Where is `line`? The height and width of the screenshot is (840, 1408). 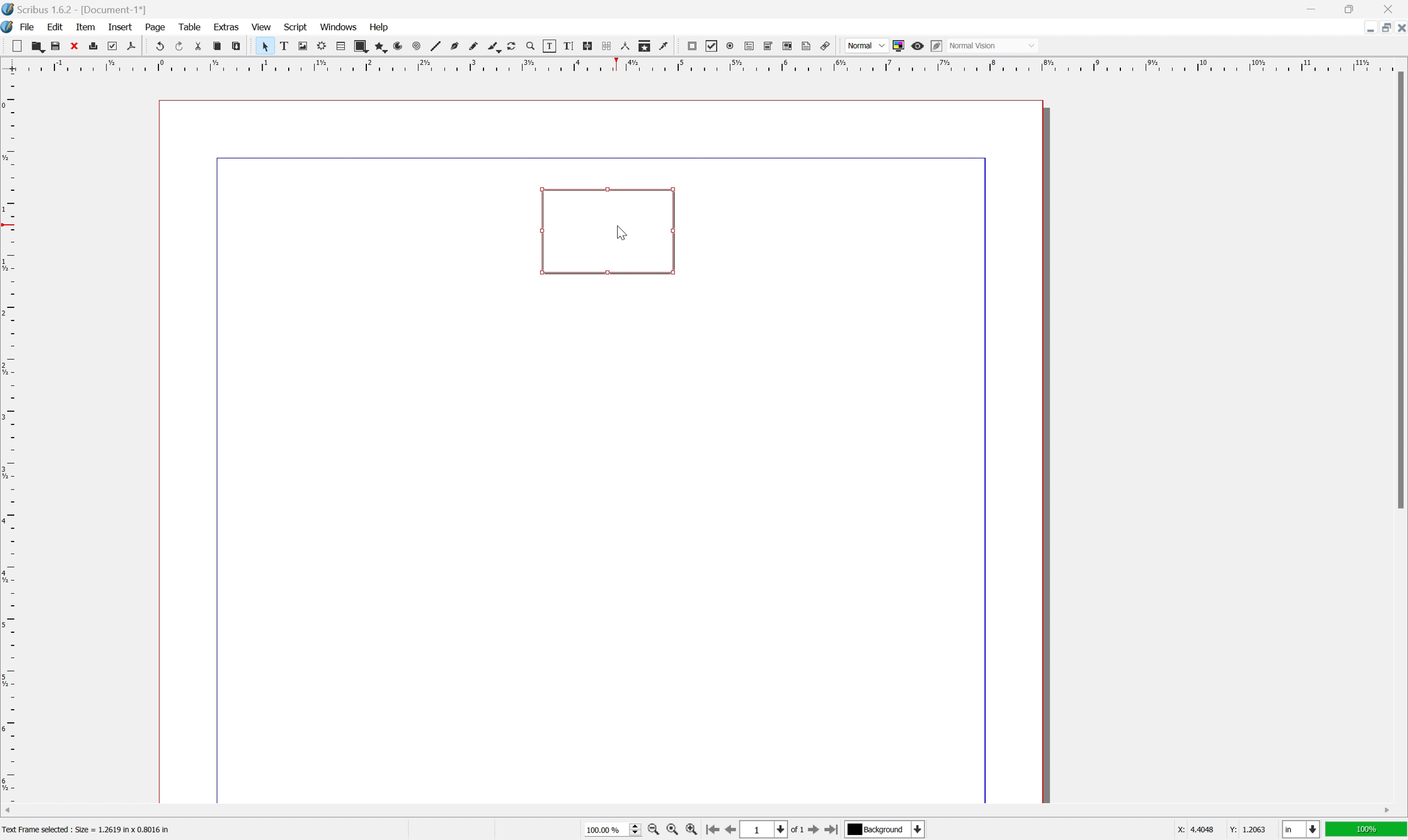
line is located at coordinates (435, 46).